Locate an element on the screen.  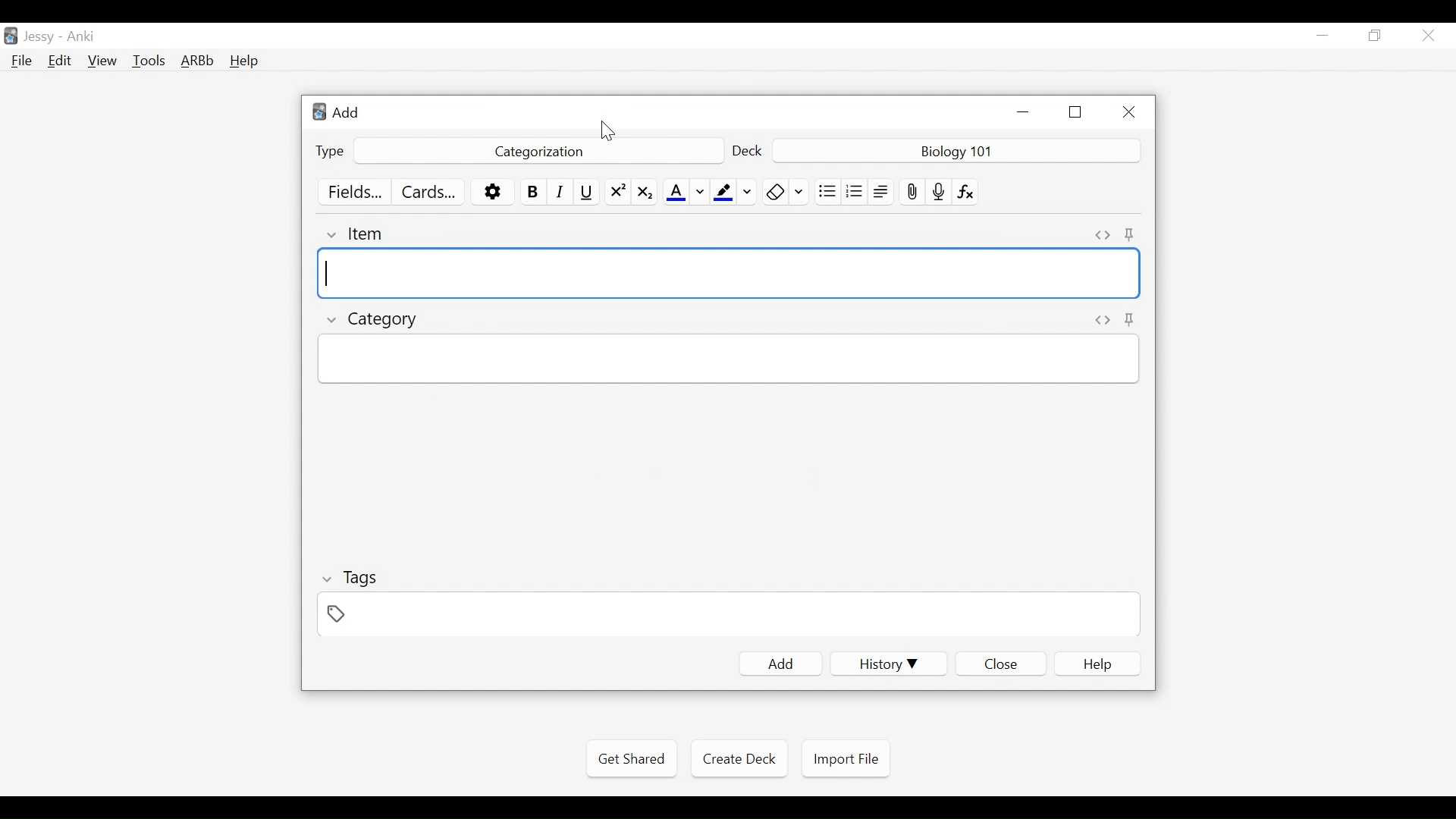
elp is located at coordinates (1099, 664).